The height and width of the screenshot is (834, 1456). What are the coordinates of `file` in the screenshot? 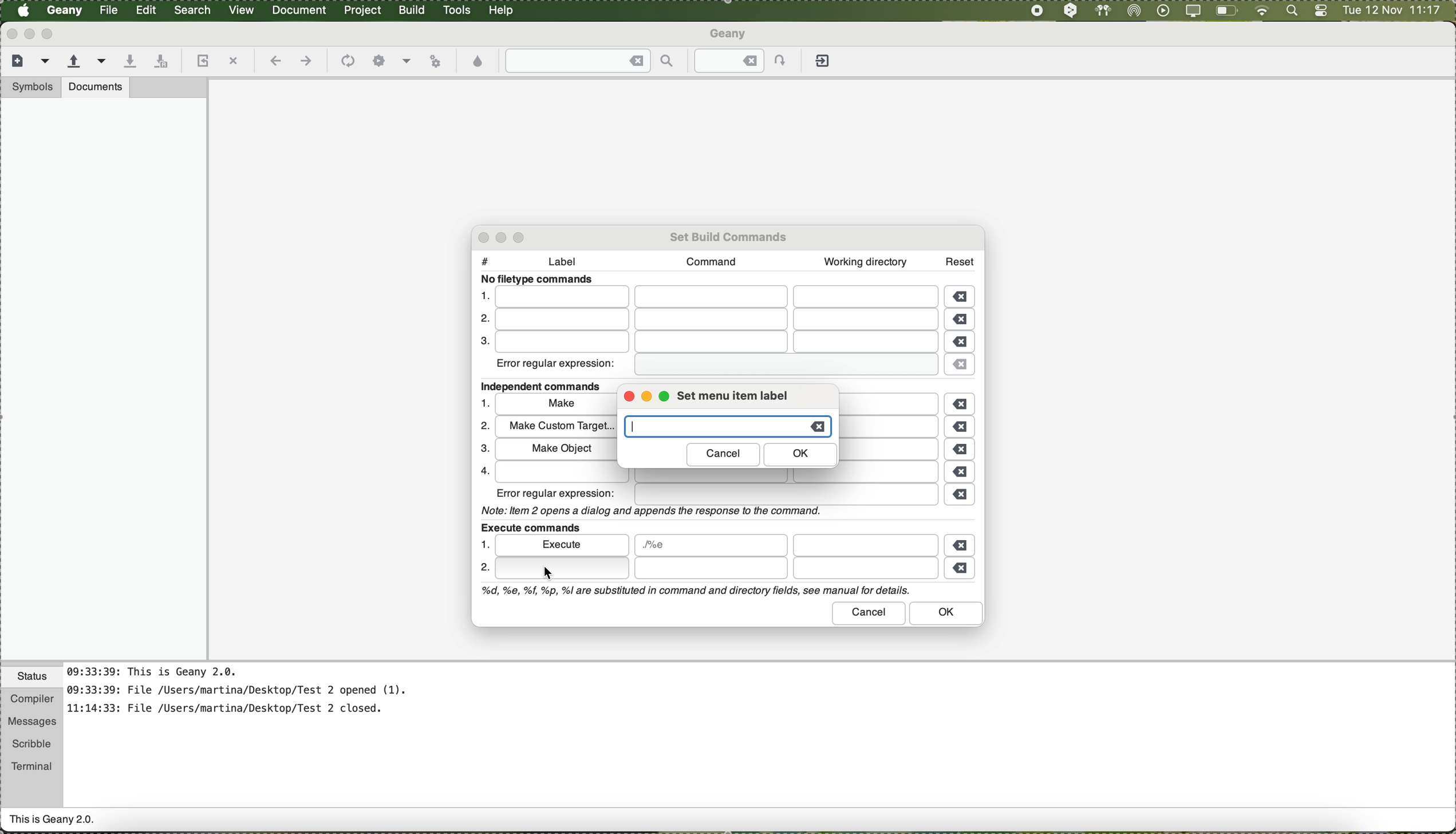 It's located at (711, 545).